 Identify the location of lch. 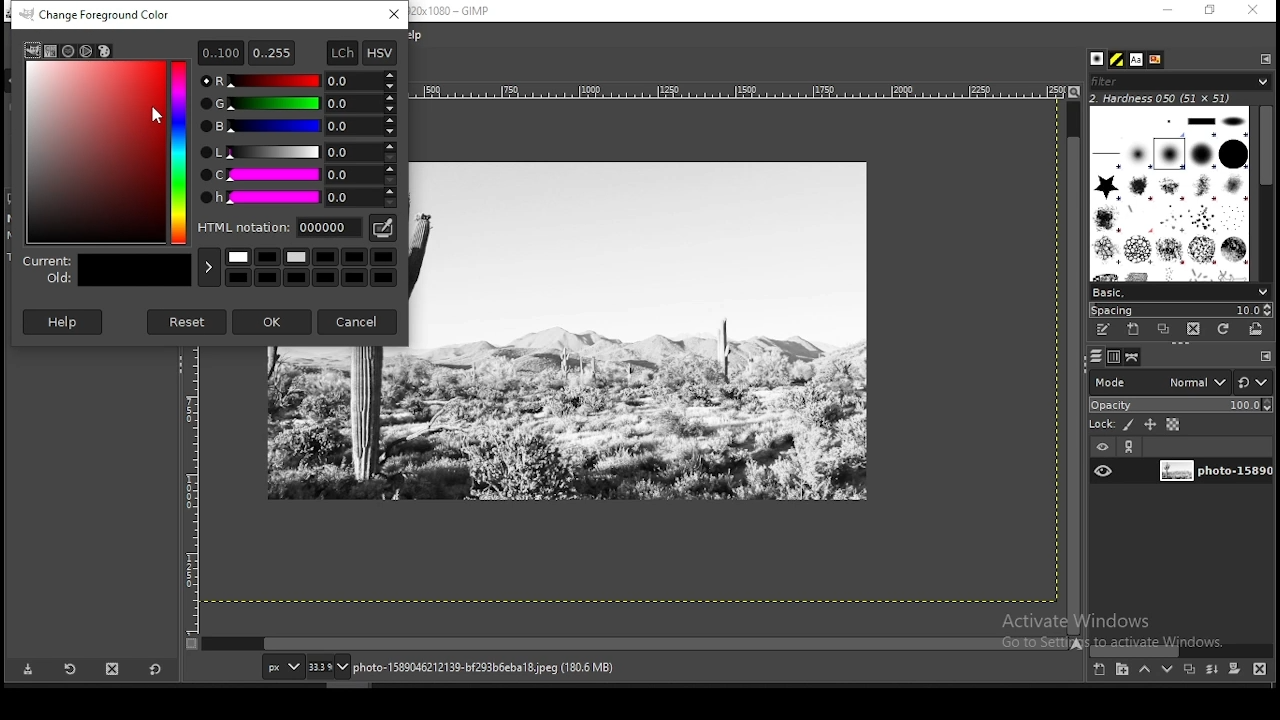
(343, 51).